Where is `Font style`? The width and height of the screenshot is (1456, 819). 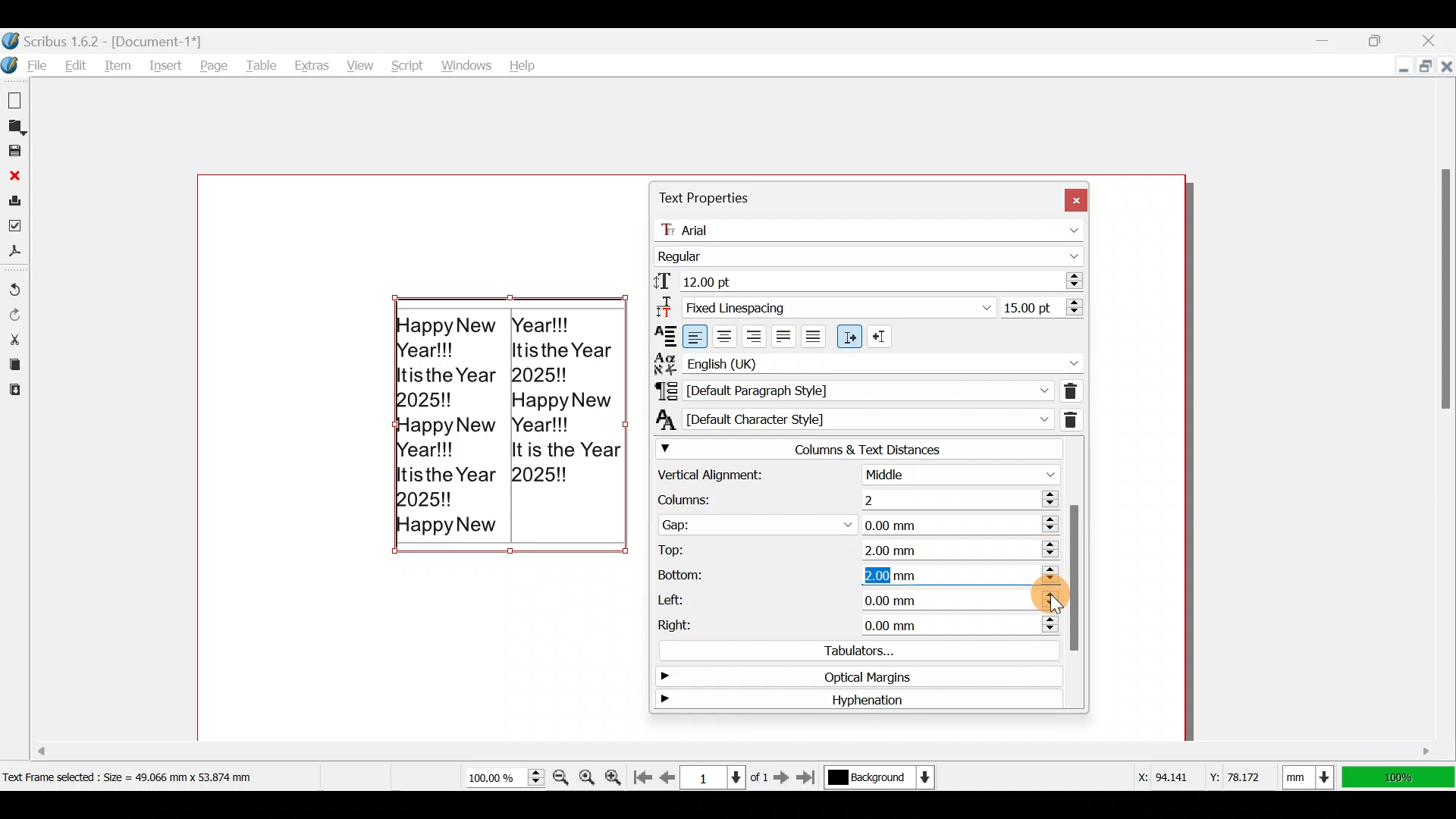 Font style is located at coordinates (872, 253).